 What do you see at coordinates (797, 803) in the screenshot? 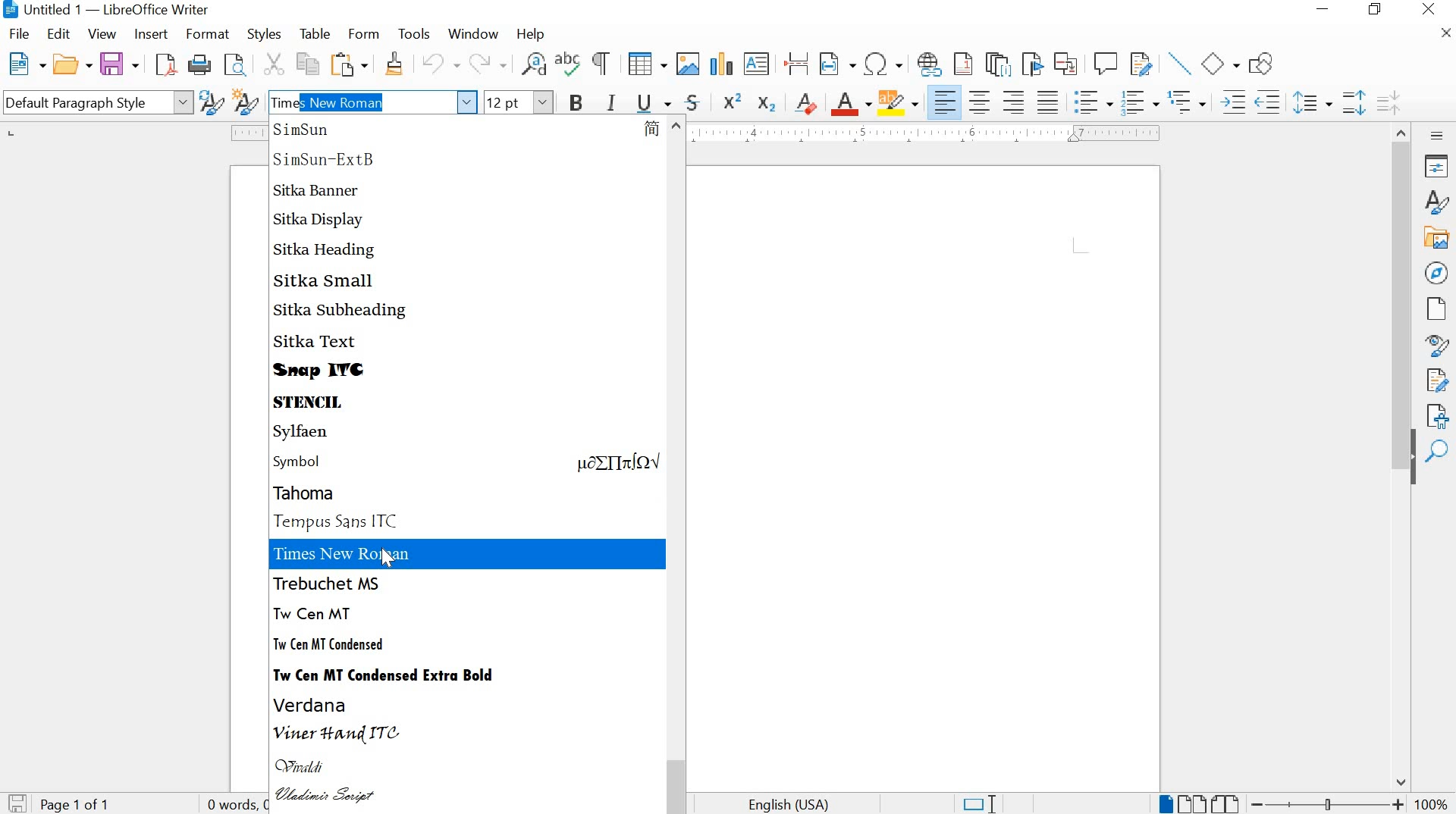
I see `TEXT LANGUAGe` at bounding box center [797, 803].